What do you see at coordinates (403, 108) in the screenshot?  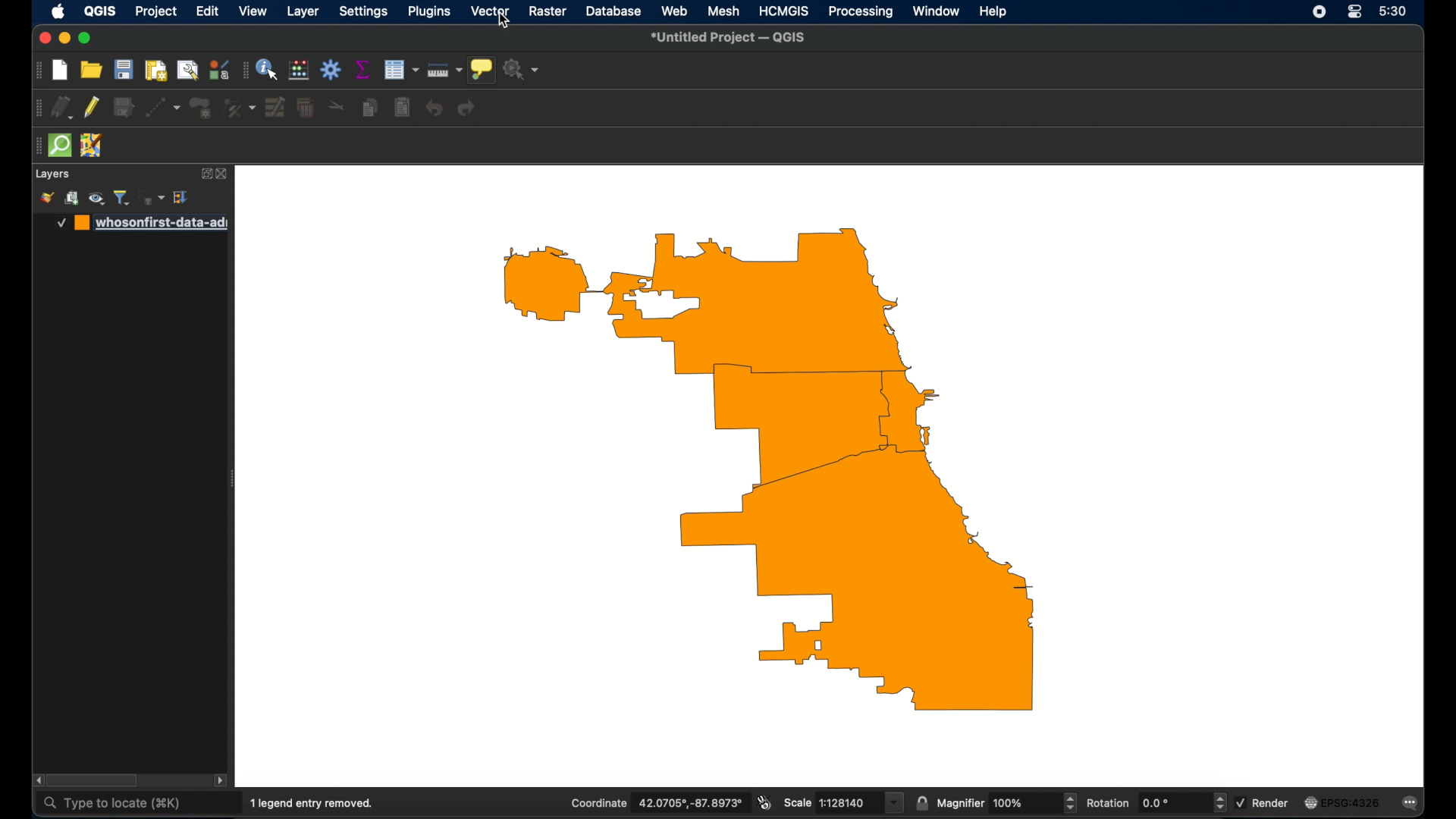 I see `paste features` at bounding box center [403, 108].